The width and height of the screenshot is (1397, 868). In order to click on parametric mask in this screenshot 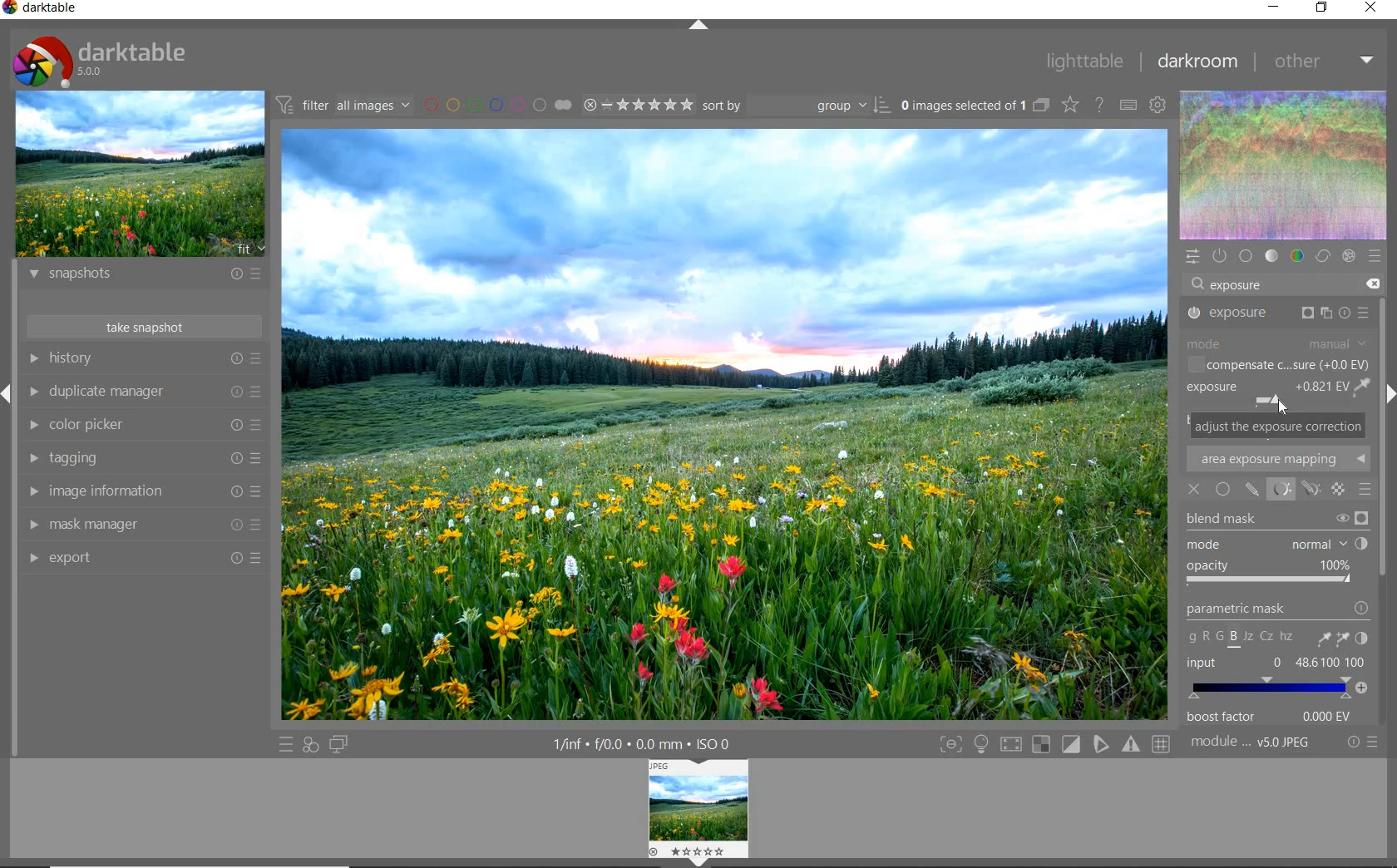, I will do `click(1278, 625)`.